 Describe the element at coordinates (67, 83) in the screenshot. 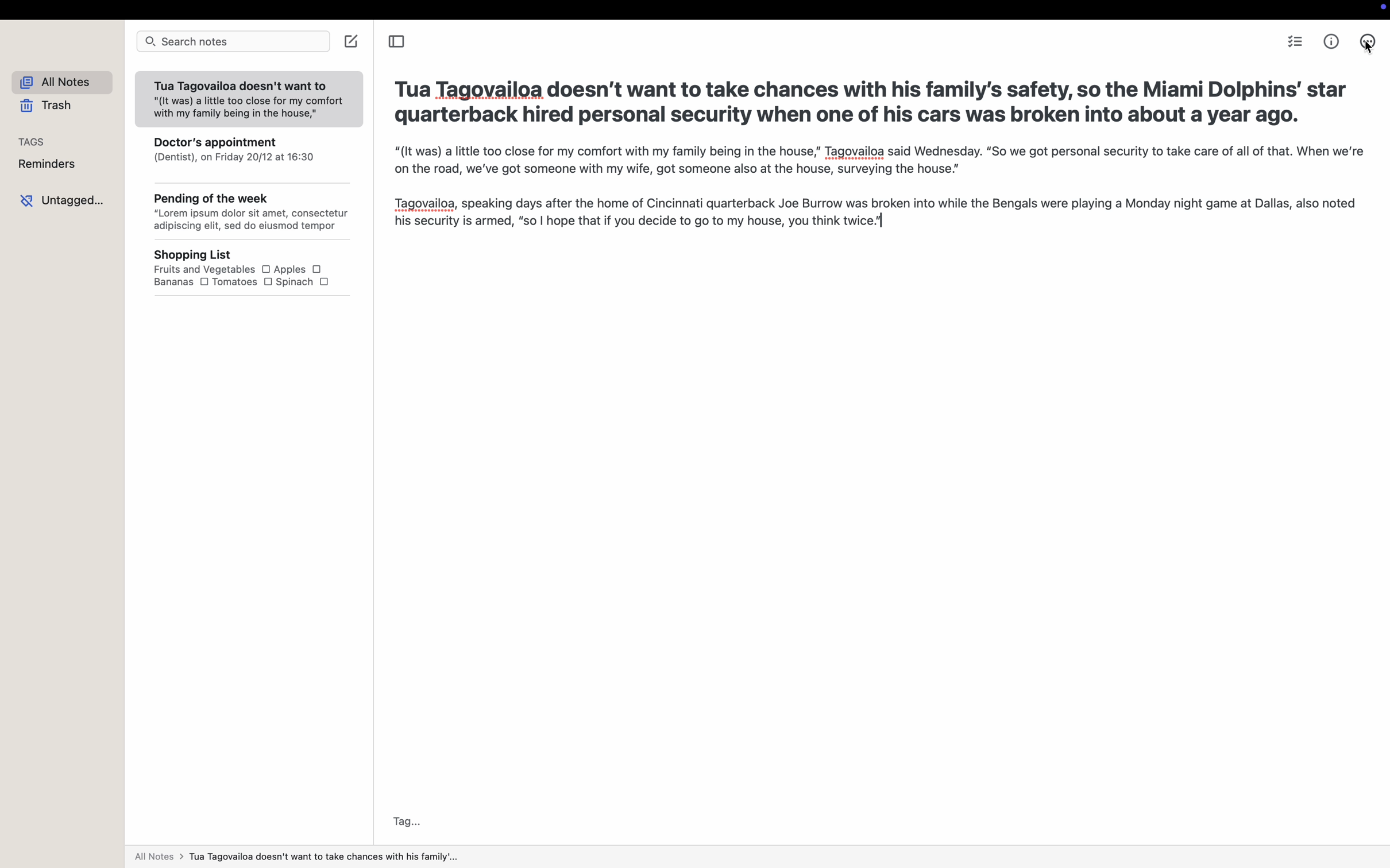

I see `all notes` at that location.